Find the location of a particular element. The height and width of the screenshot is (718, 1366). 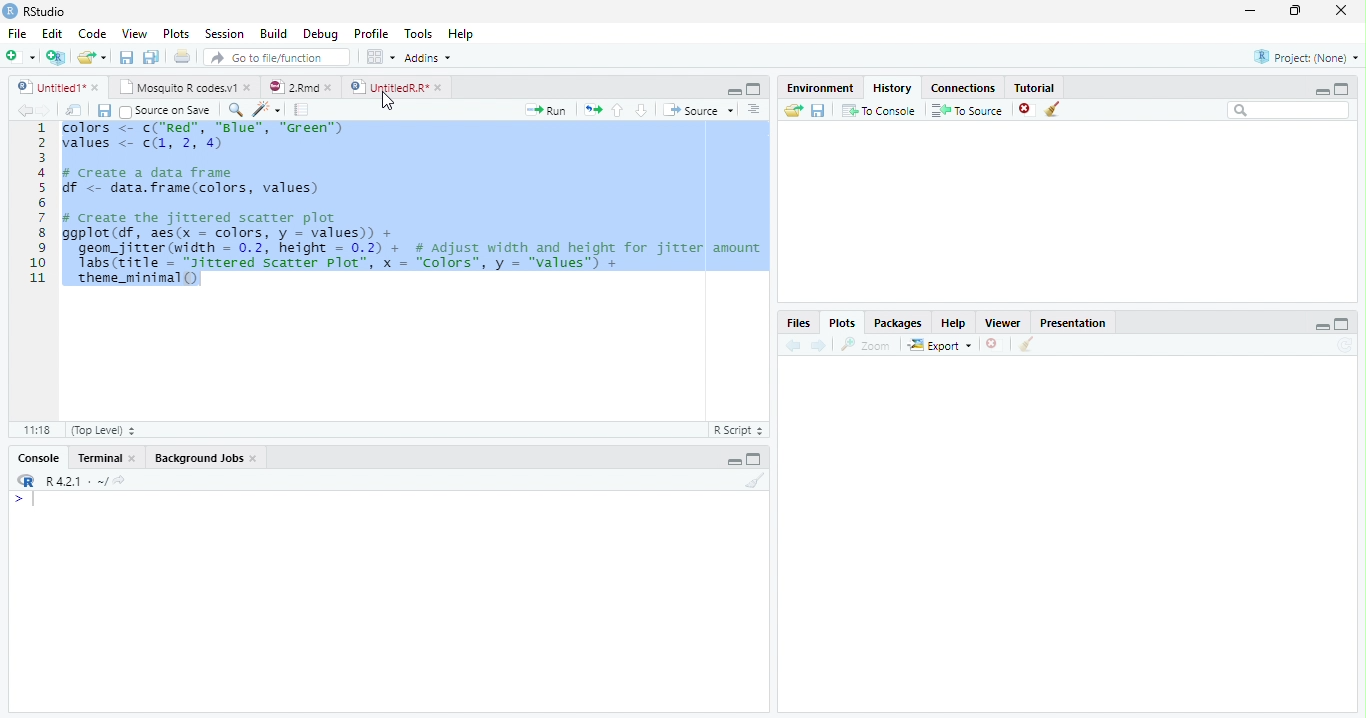

Run is located at coordinates (546, 111).